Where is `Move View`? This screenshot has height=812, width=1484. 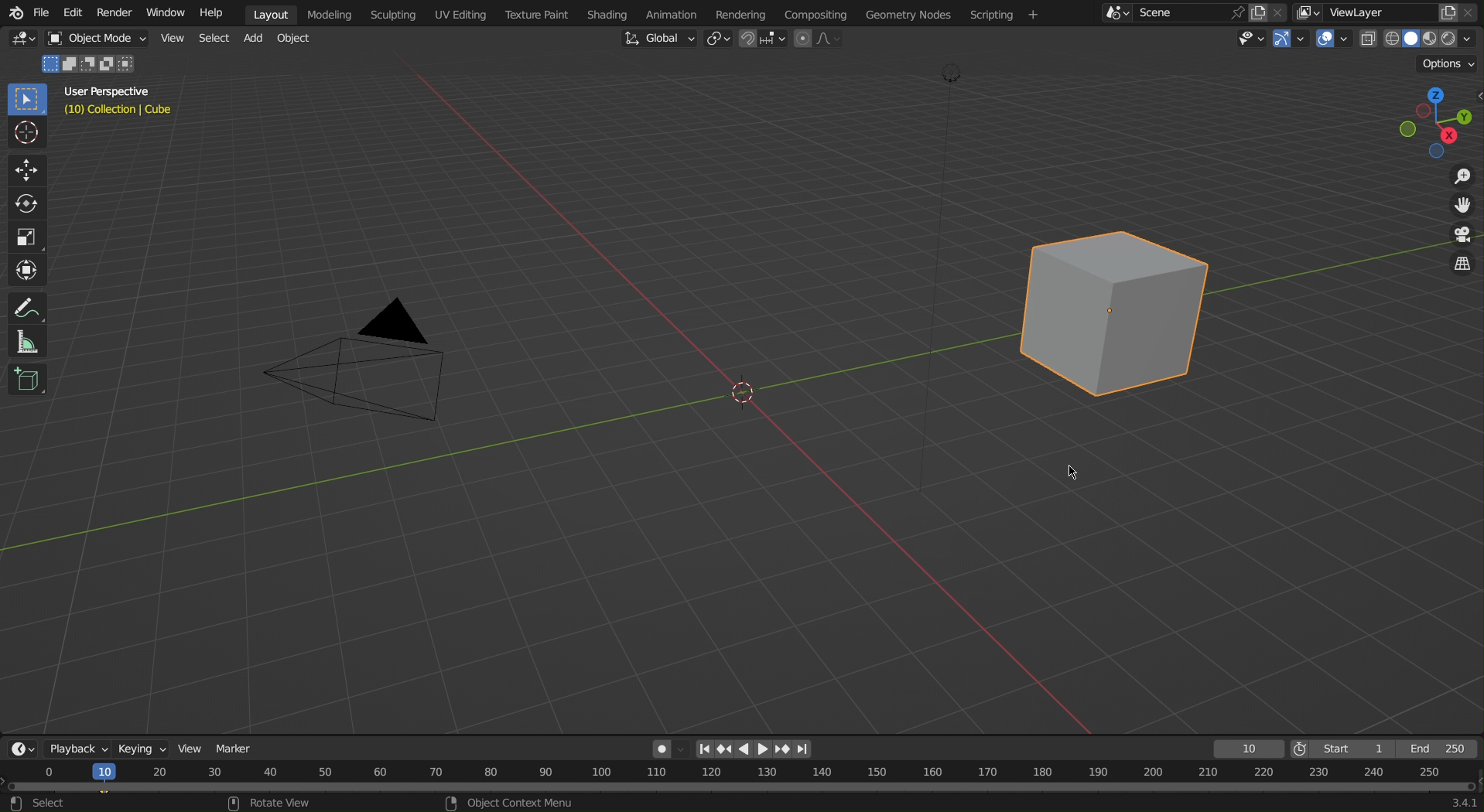
Move View is located at coordinates (1456, 209).